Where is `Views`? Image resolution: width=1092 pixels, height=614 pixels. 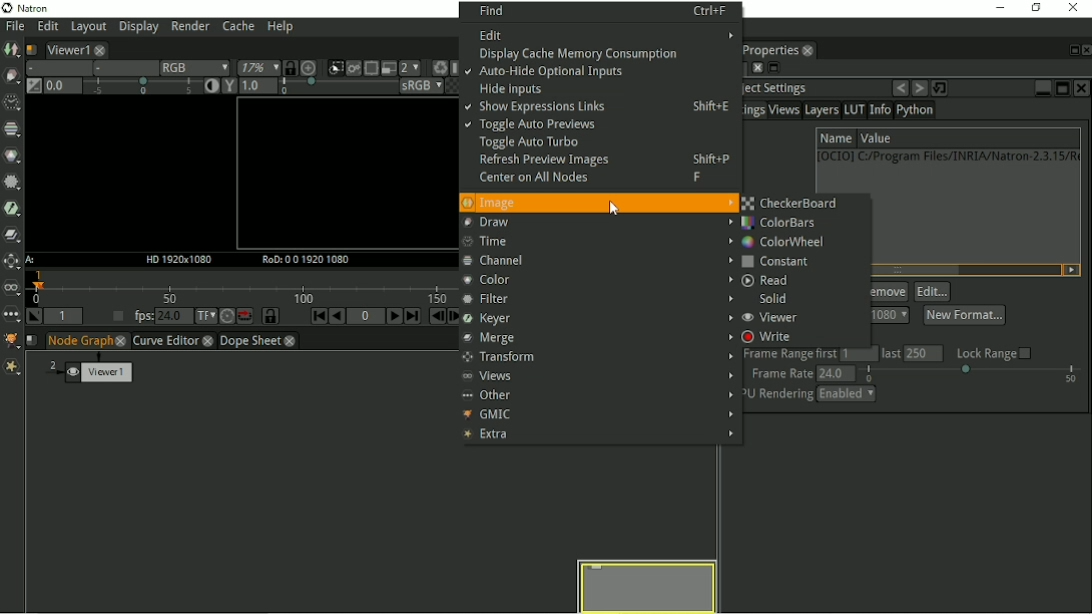
Views is located at coordinates (785, 112).